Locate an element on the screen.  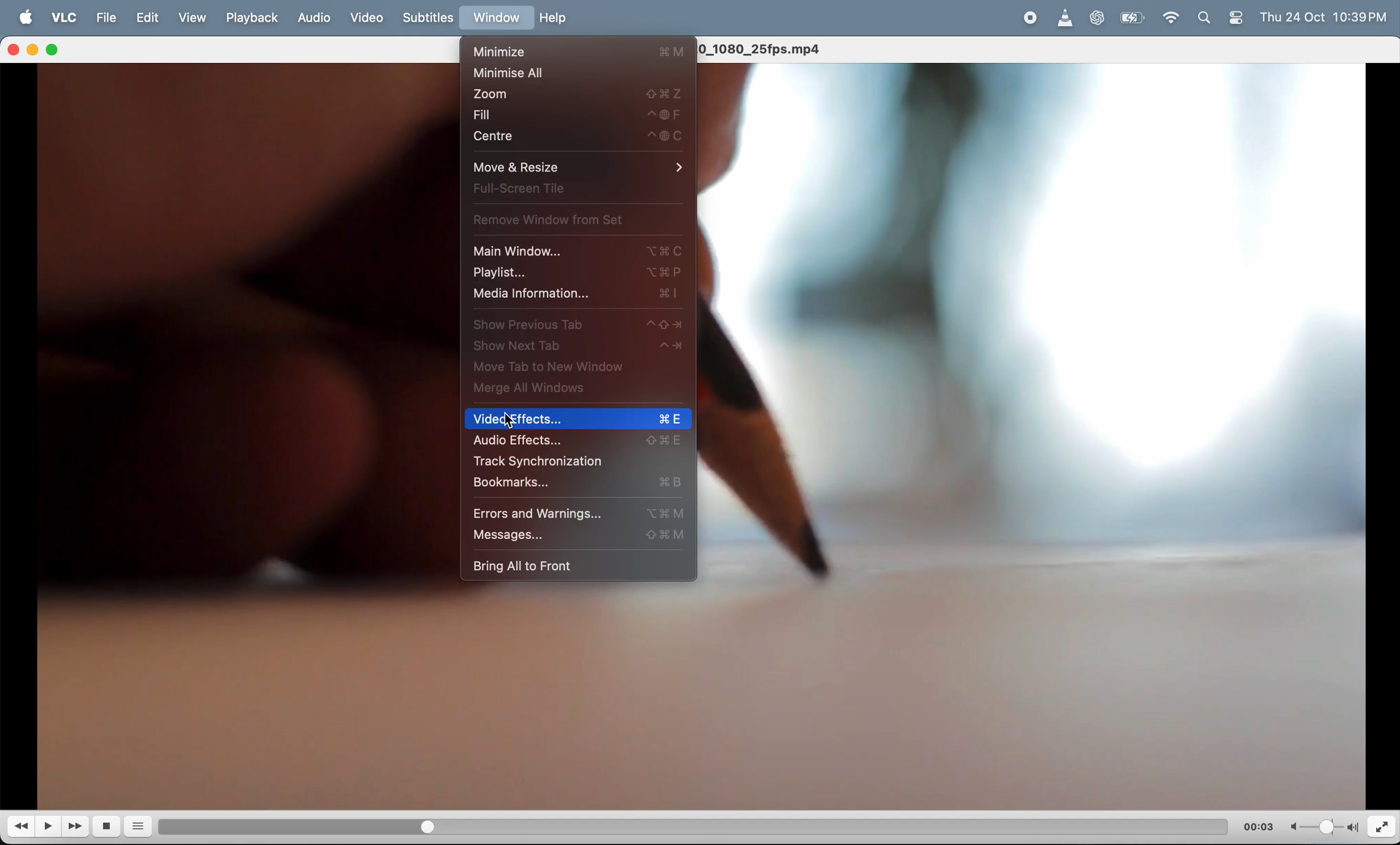
view is located at coordinates (198, 18).